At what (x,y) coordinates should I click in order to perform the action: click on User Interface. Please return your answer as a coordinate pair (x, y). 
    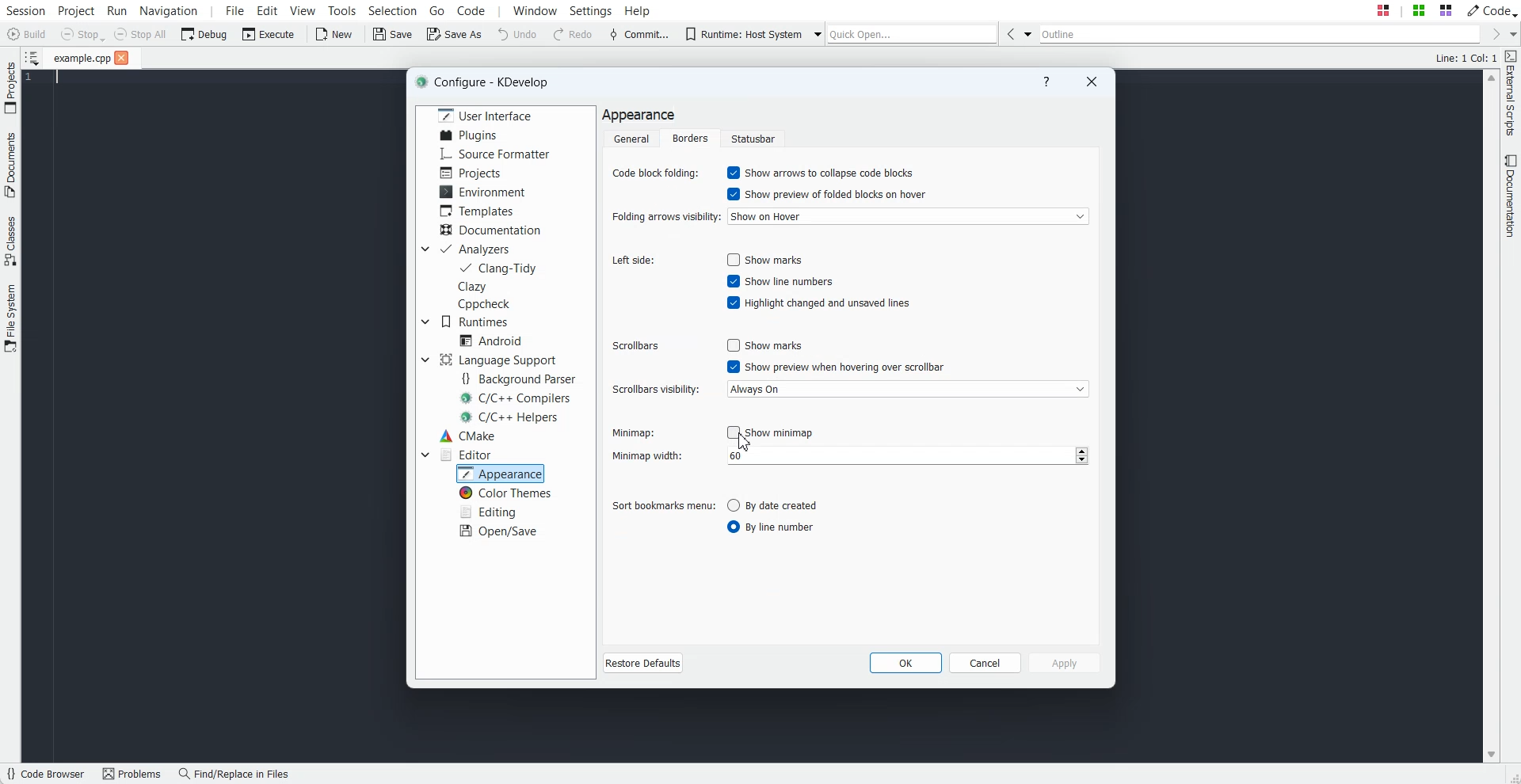
    Looking at the image, I should click on (486, 115).